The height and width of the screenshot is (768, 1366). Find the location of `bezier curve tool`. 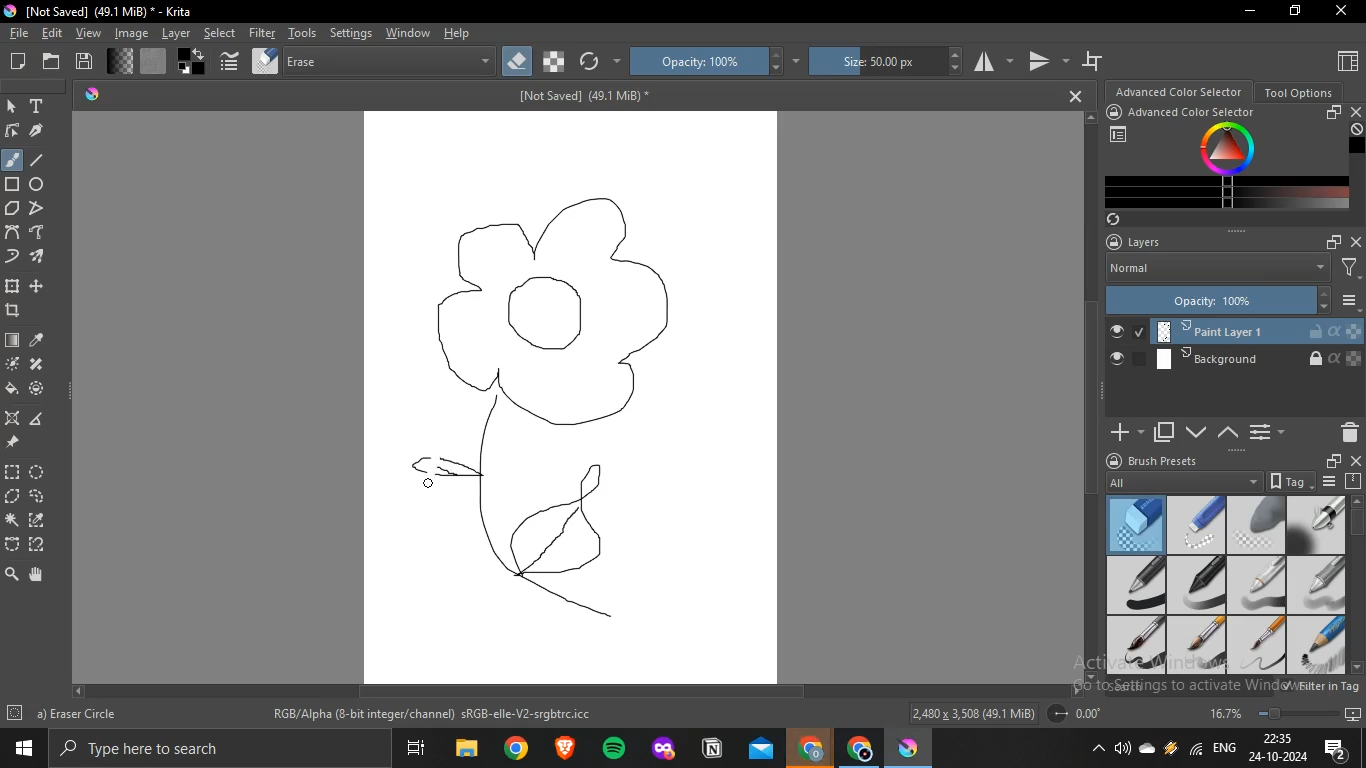

bezier curve tool is located at coordinates (13, 231).